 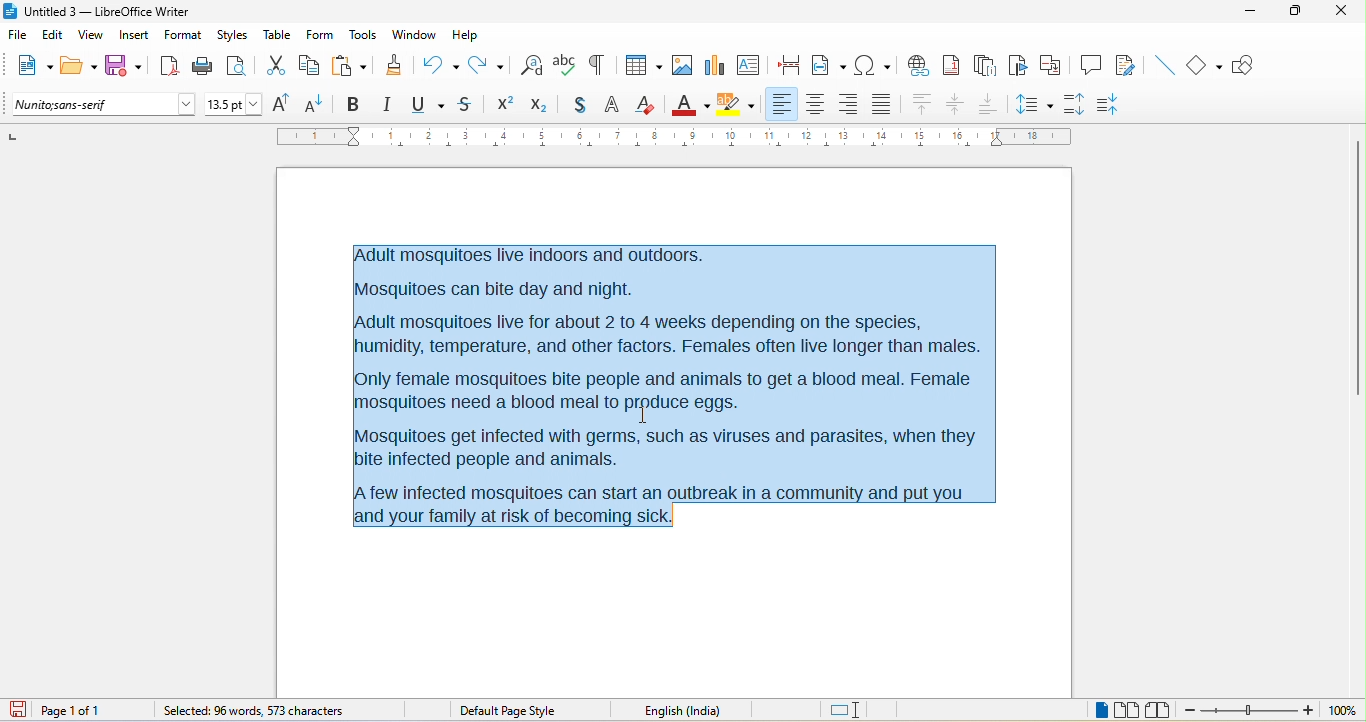 I want to click on print, so click(x=202, y=69).